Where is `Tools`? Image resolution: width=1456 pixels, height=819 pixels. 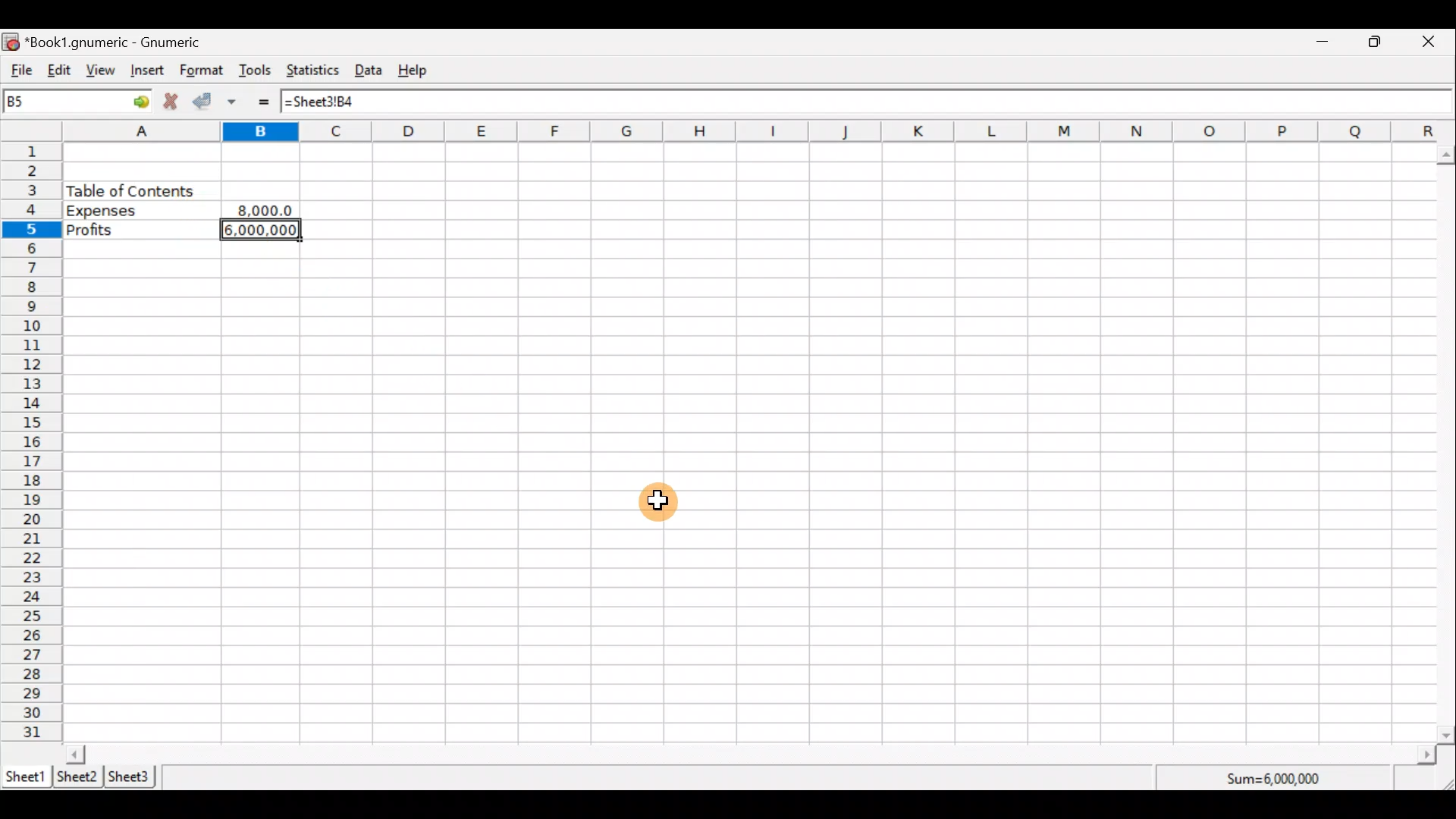 Tools is located at coordinates (256, 71).